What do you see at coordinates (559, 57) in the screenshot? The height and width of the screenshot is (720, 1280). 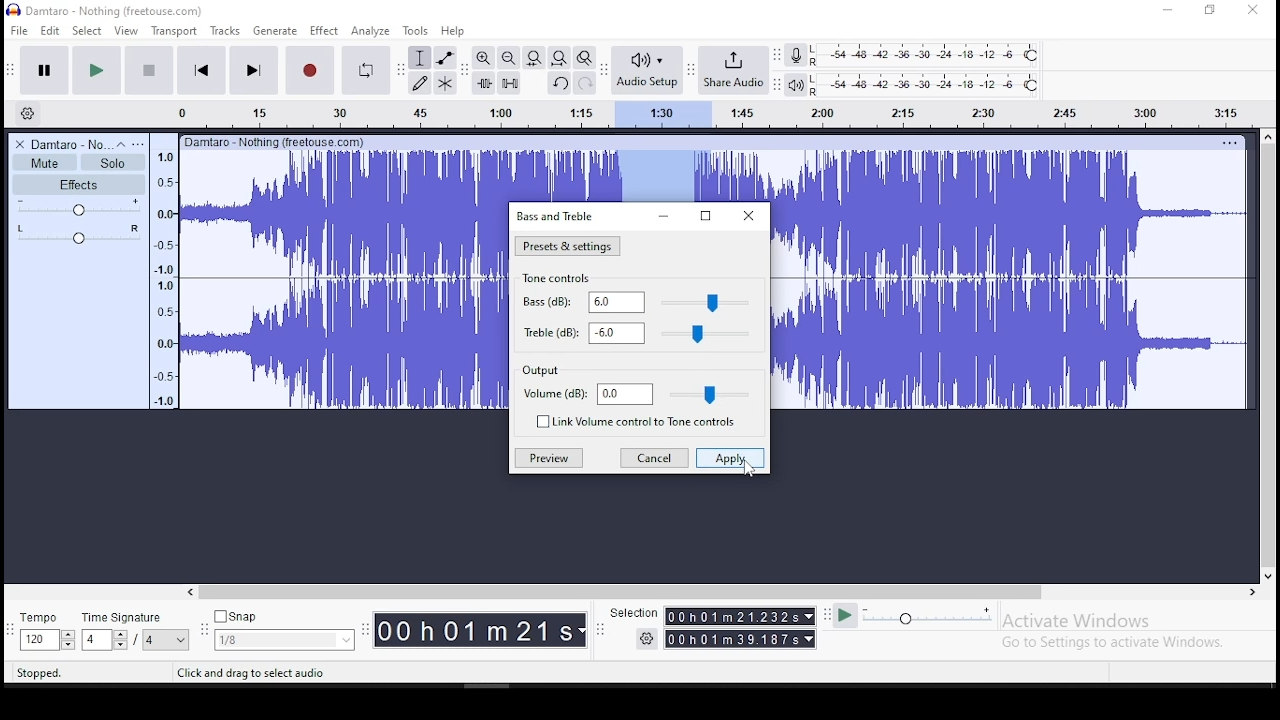 I see `fit project to width` at bounding box center [559, 57].